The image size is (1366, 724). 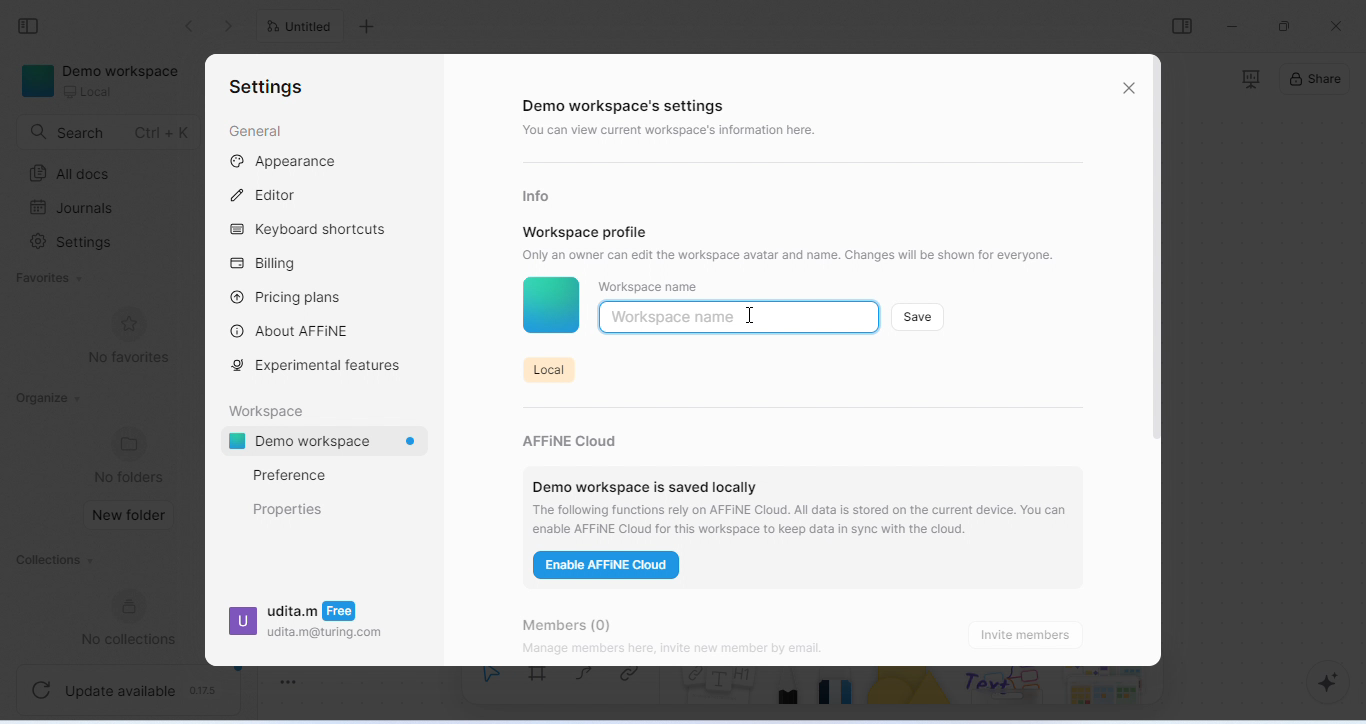 I want to click on demo workspace, so click(x=105, y=83).